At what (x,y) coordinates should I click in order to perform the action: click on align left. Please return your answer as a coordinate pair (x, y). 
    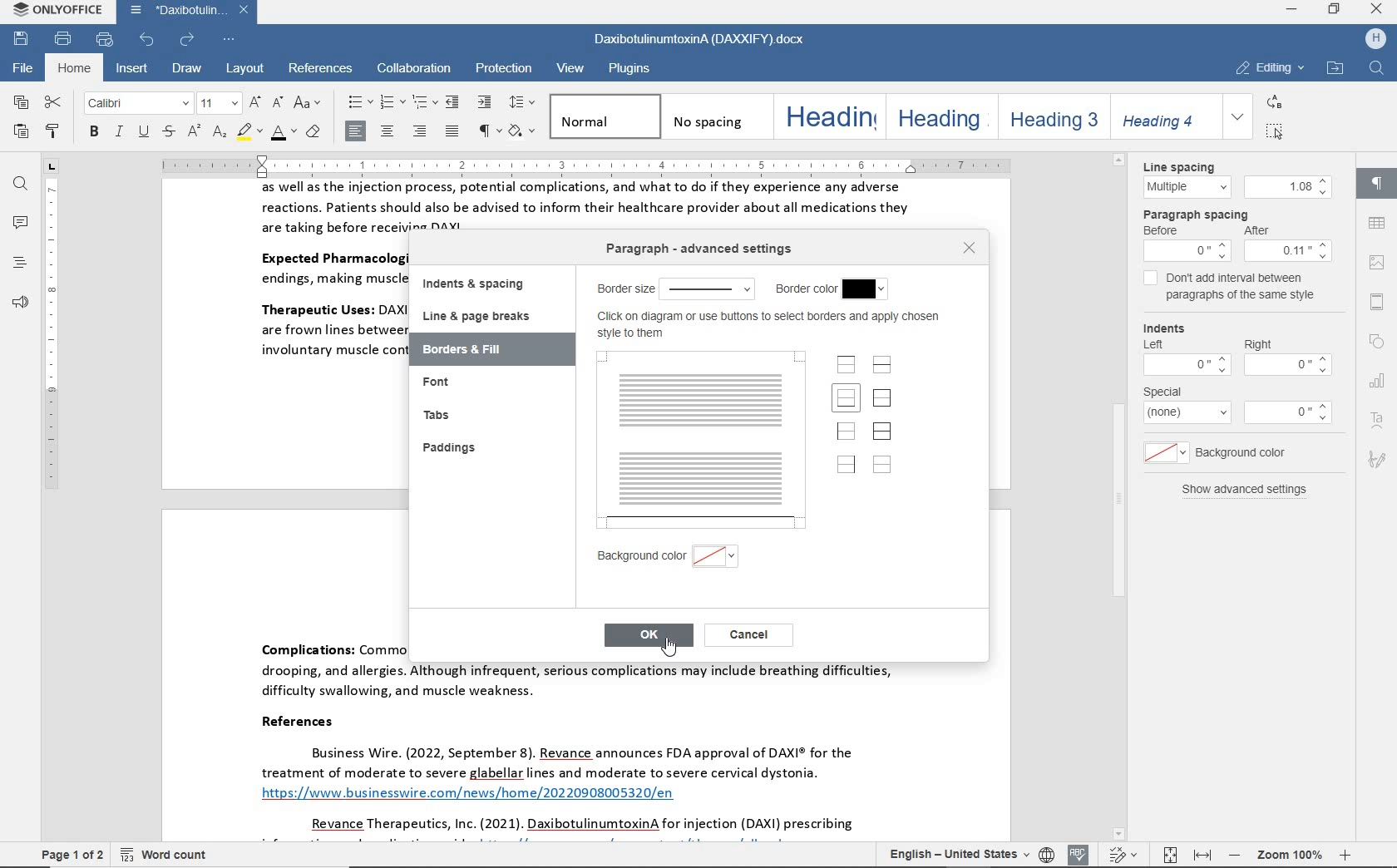
    Looking at the image, I should click on (420, 131).